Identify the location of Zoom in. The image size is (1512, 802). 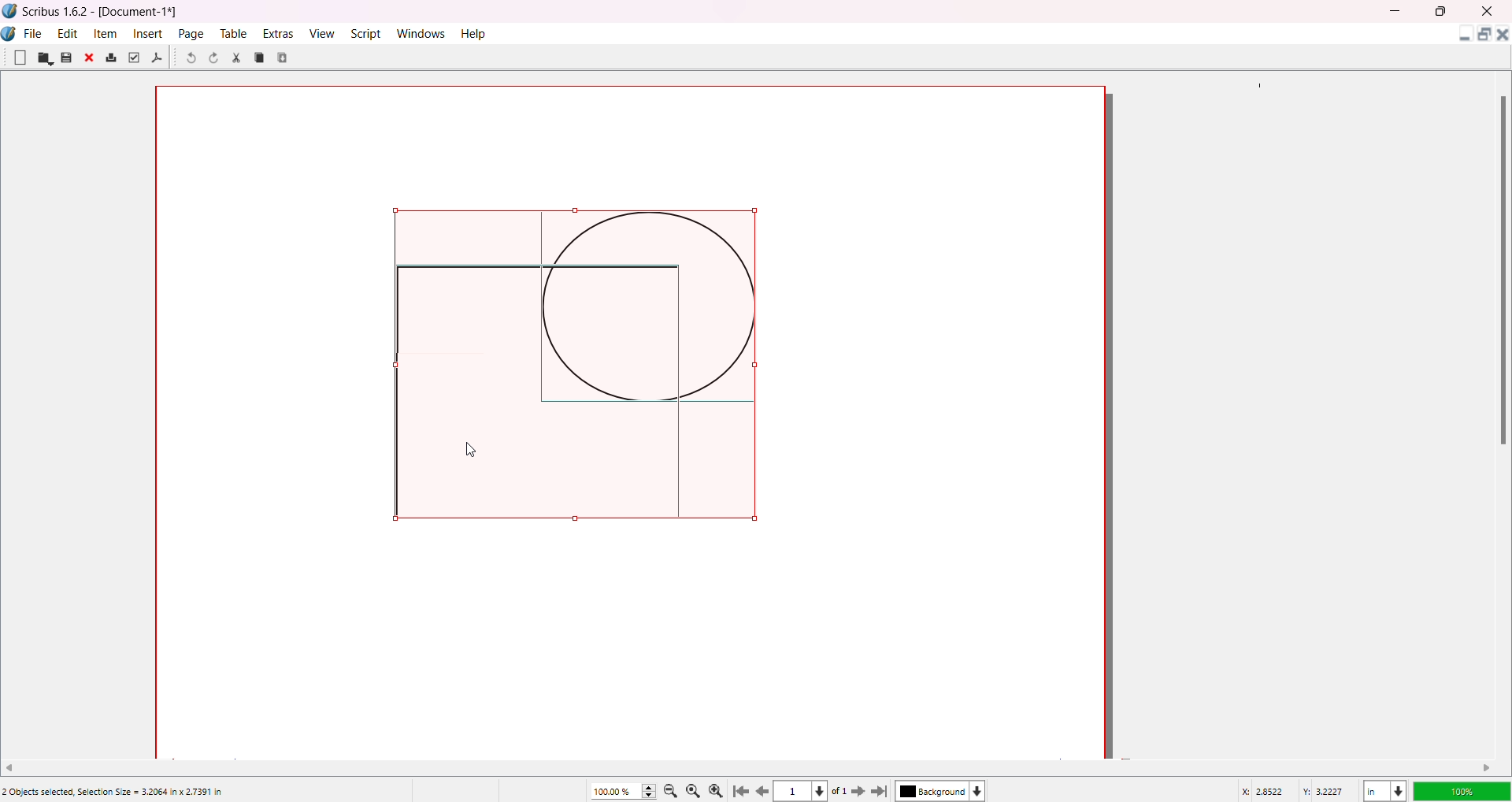
(719, 789).